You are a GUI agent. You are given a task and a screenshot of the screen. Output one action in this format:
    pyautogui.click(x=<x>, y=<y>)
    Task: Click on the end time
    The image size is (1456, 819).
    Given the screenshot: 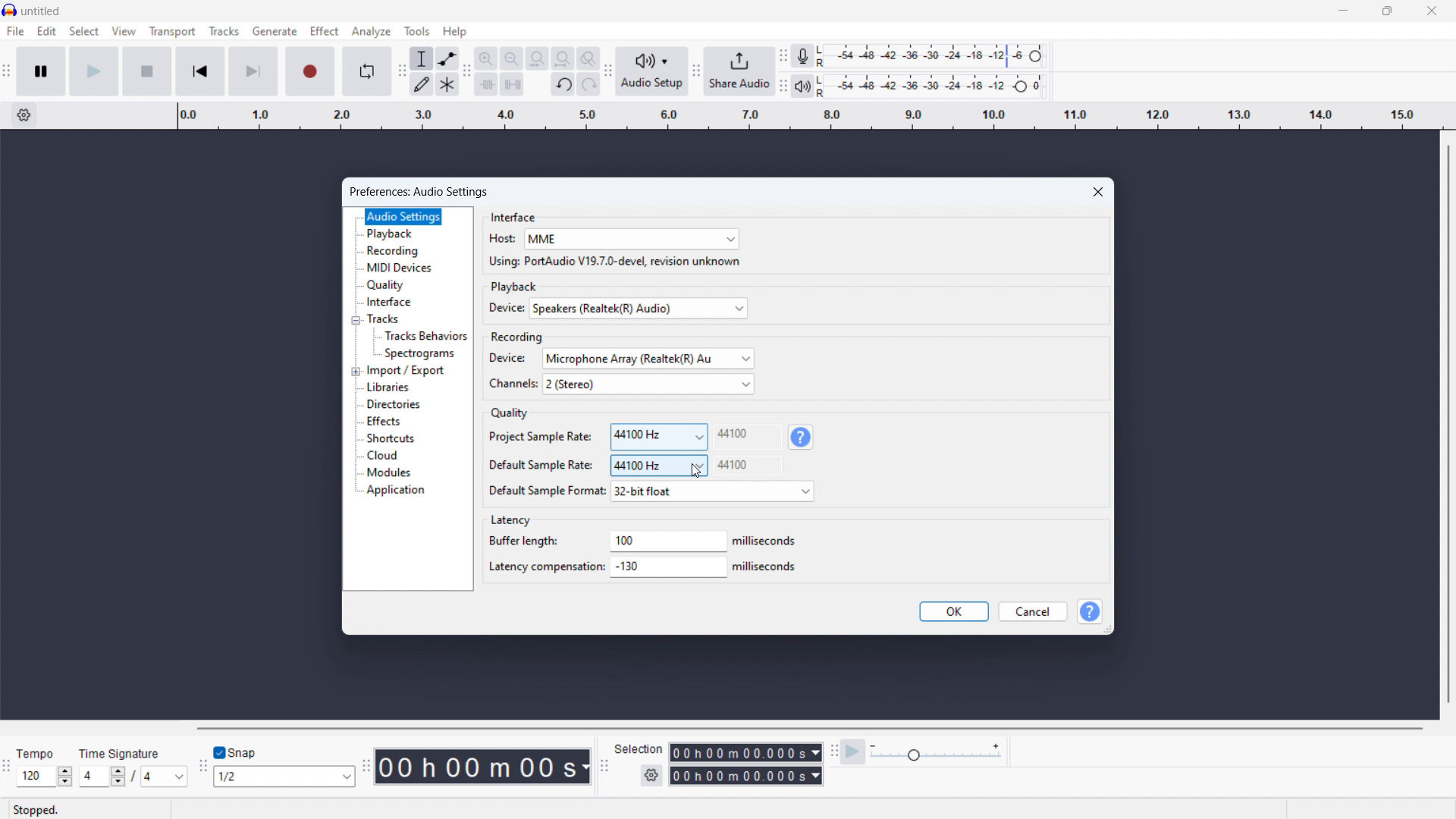 What is the action you would take?
    pyautogui.click(x=745, y=777)
    